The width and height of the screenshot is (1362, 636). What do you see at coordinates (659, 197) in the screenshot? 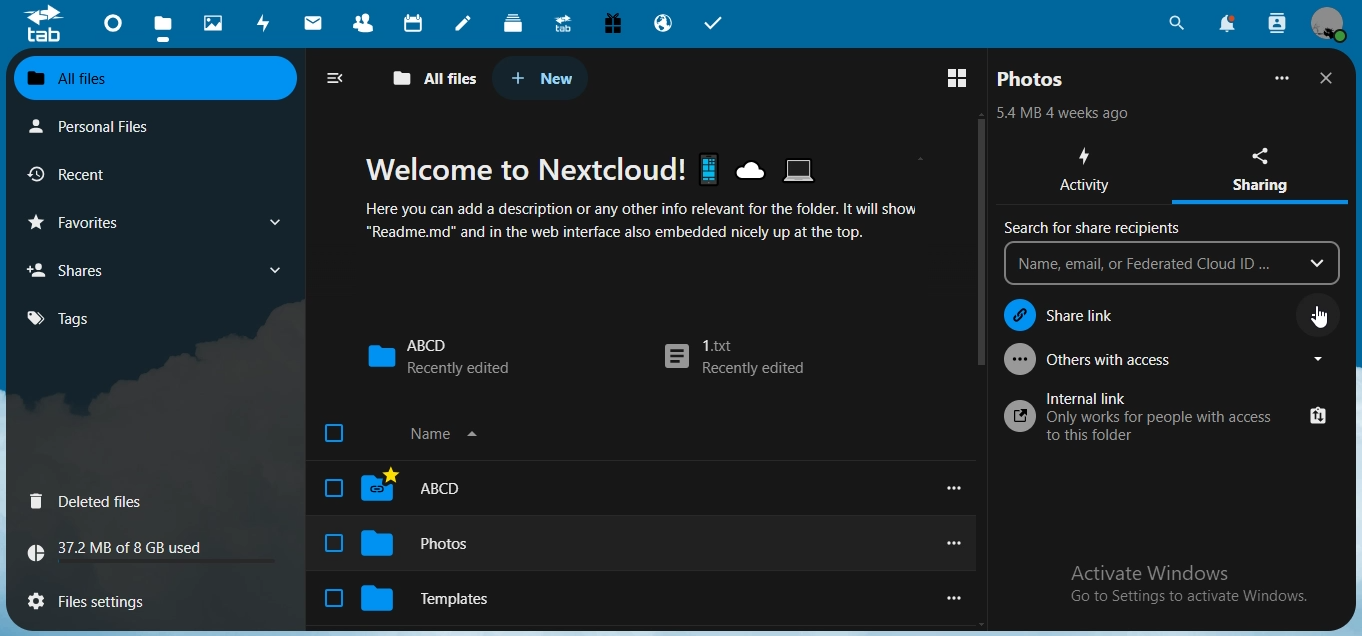
I see `text` at bounding box center [659, 197].